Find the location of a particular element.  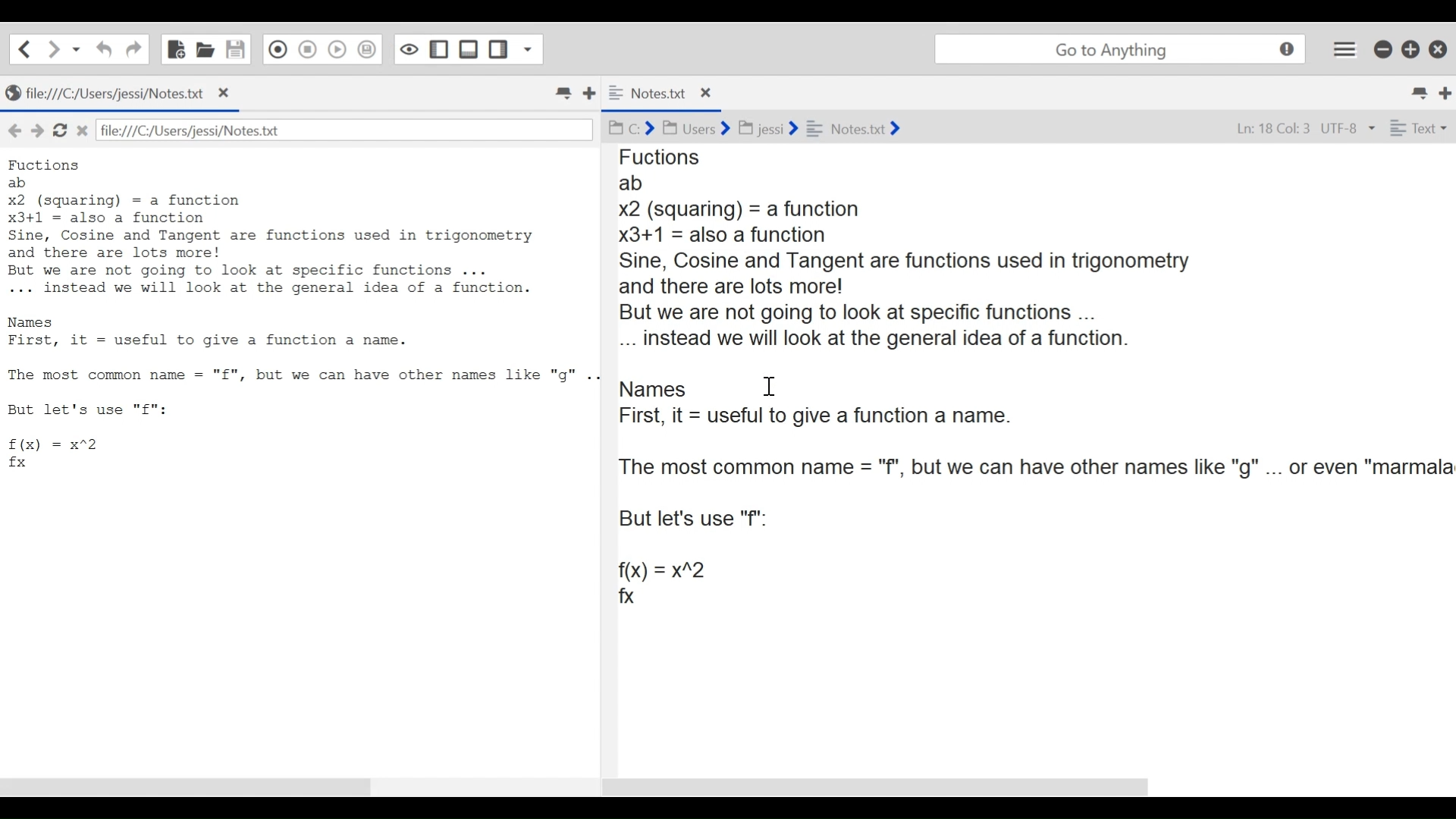

list all tabs is located at coordinates (1414, 93).